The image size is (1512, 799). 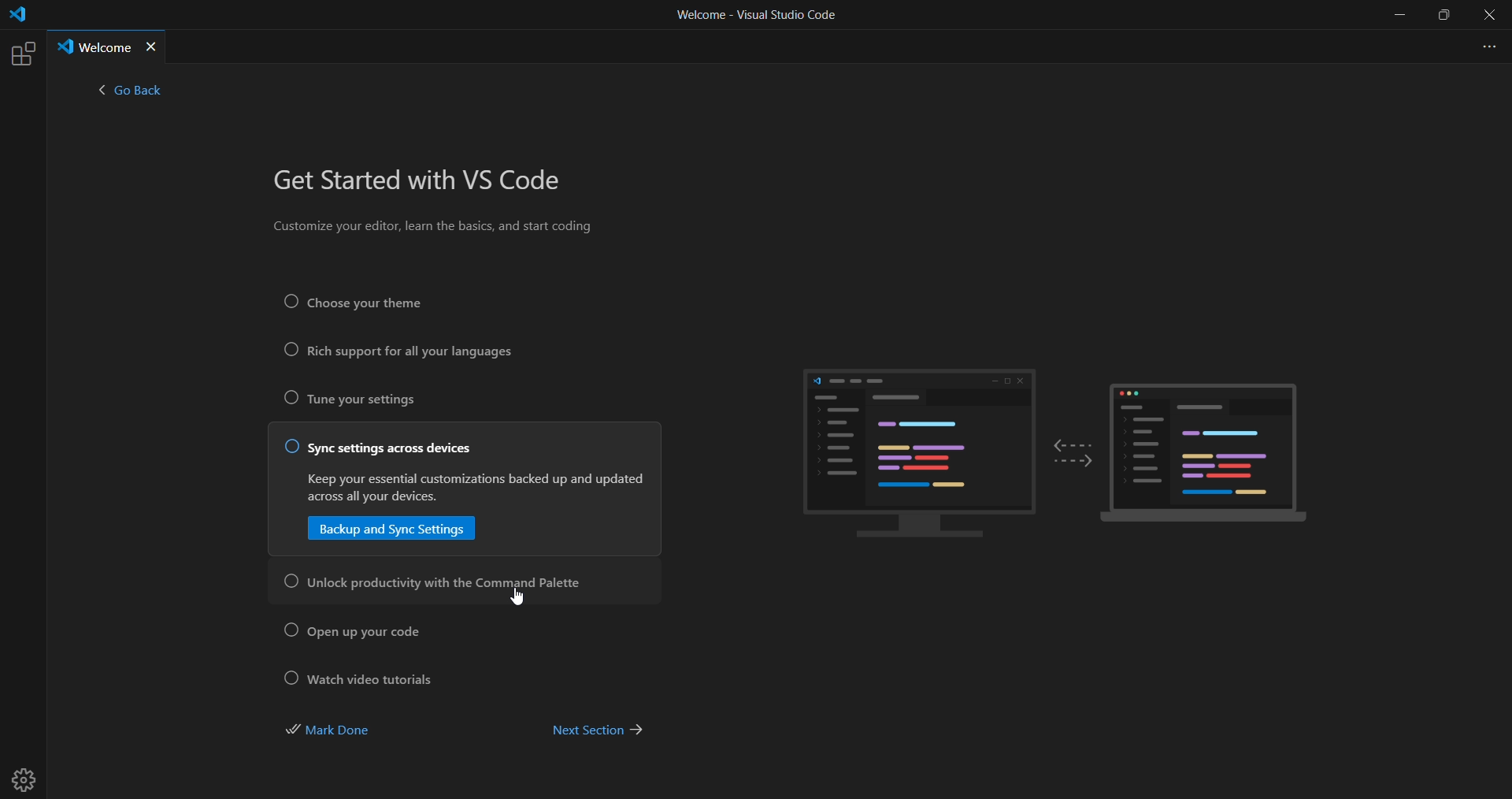 What do you see at coordinates (397, 353) in the screenshot?
I see `rich support for all your languages` at bounding box center [397, 353].